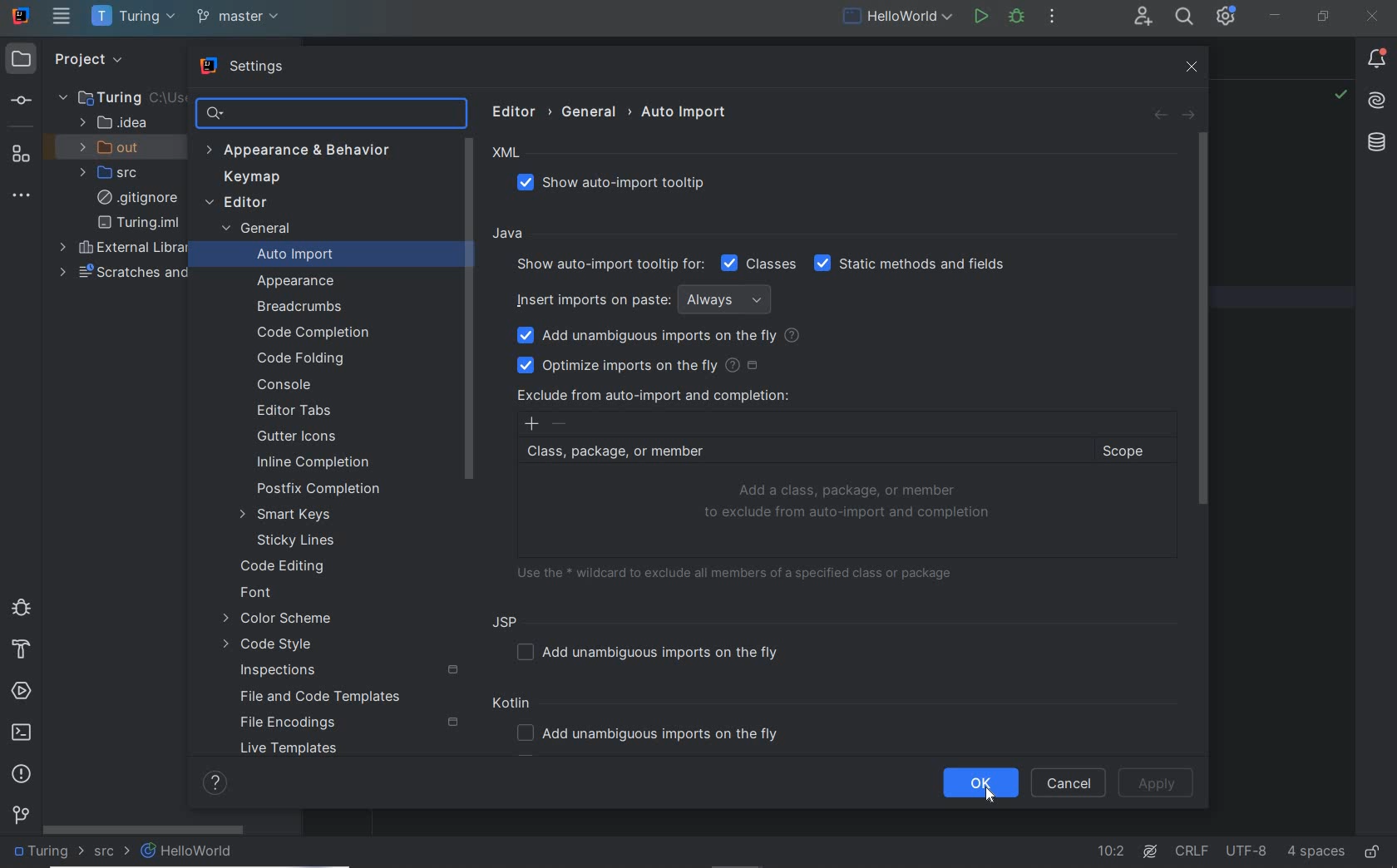  I want to click on git branch: master, so click(240, 17).